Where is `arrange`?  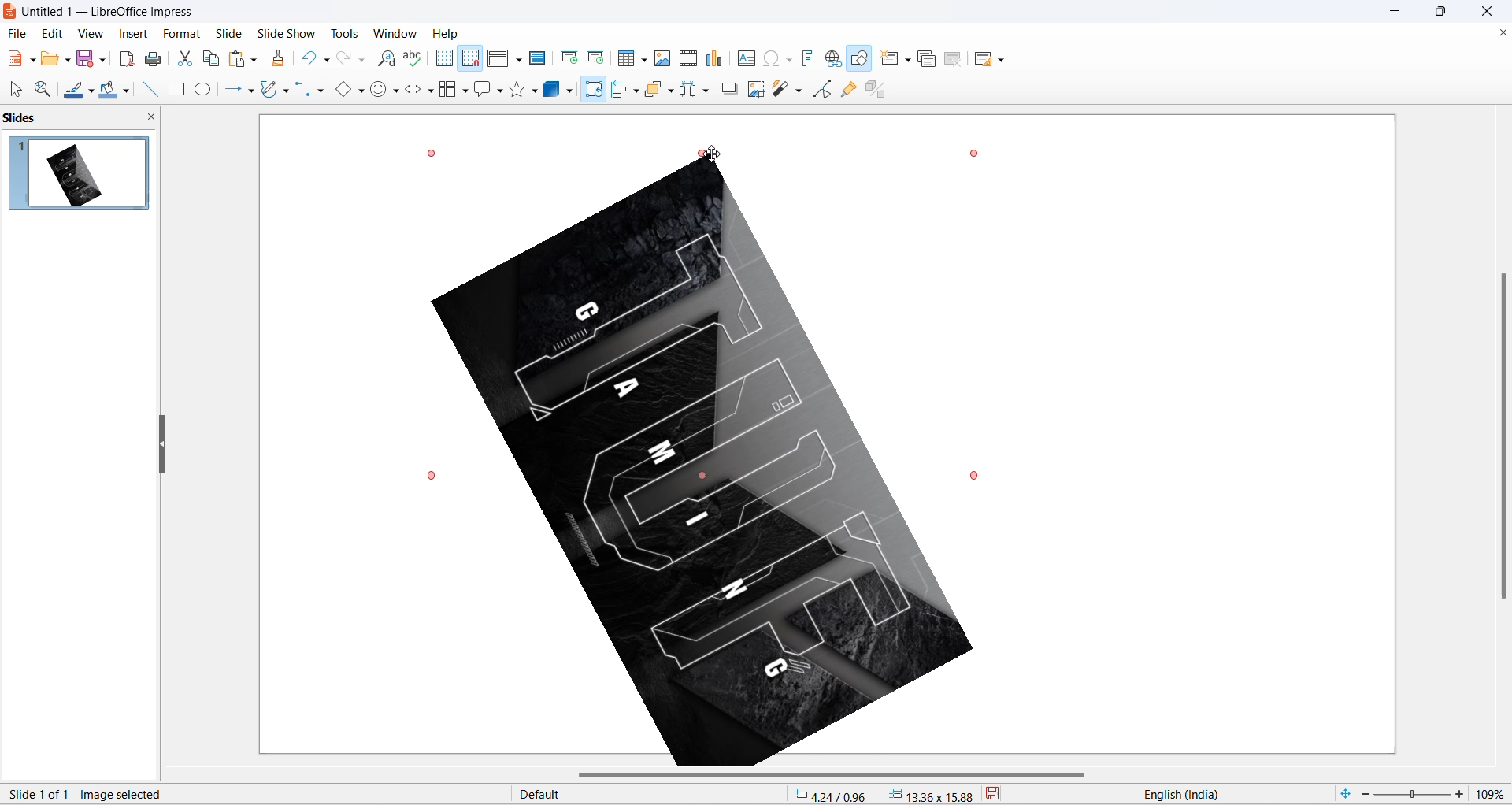
arrange is located at coordinates (658, 88).